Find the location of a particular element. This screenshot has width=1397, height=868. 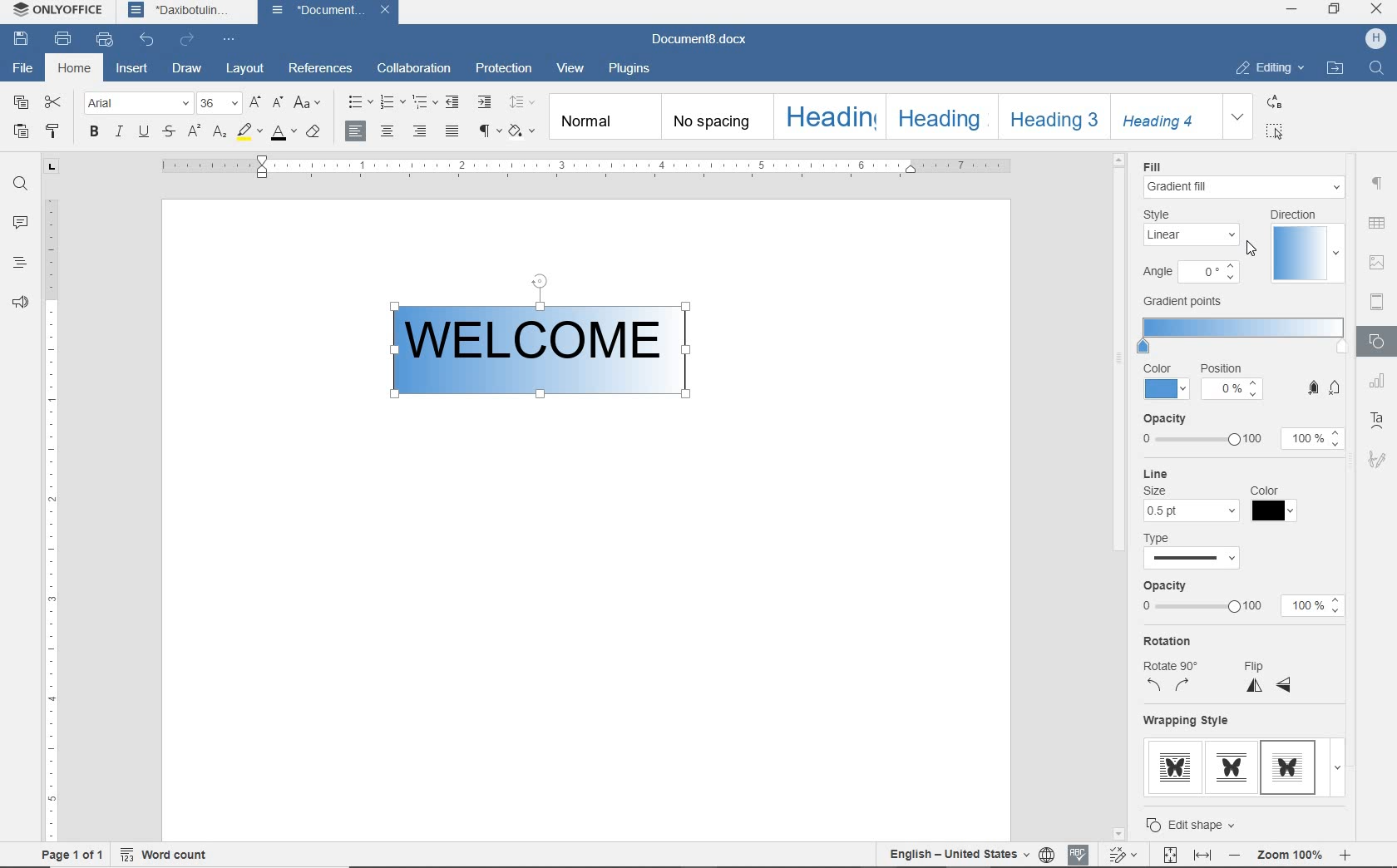

FIT TO WIDTH is located at coordinates (1204, 856).